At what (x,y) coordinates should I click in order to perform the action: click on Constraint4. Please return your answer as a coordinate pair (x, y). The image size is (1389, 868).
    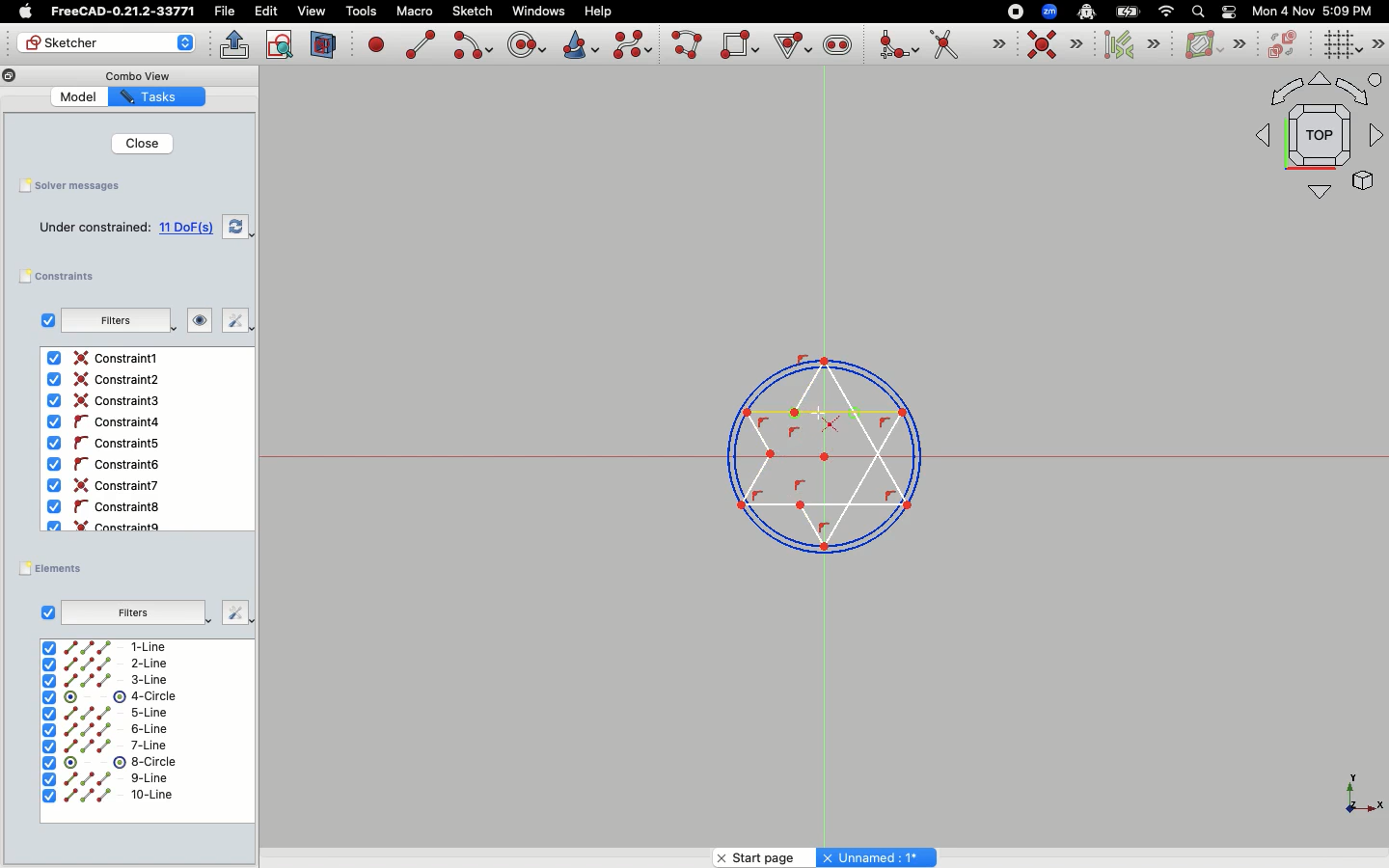
    Looking at the image, I should click on (101, 422).